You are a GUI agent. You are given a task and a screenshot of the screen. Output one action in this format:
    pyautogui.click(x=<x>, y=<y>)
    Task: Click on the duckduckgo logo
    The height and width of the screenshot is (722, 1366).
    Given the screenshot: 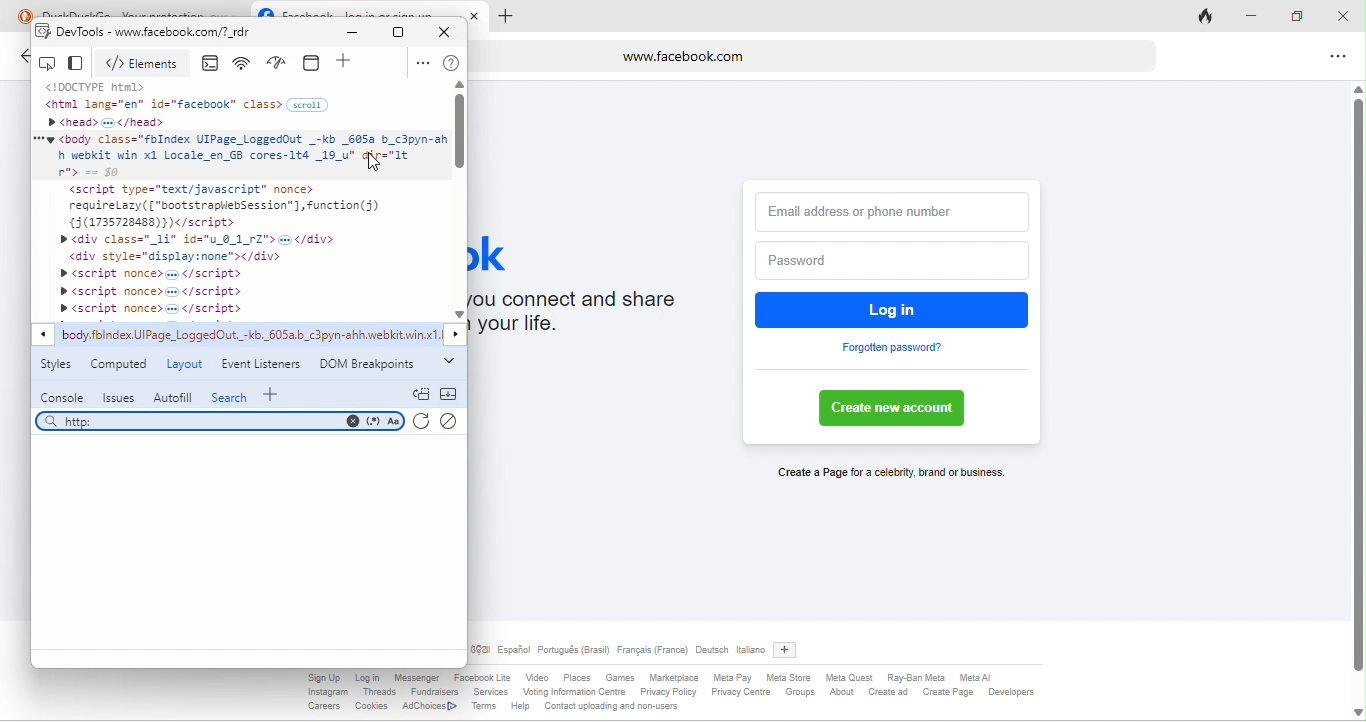 What is the action you would take?
    pyautogui.click(x=20, y=14)
    